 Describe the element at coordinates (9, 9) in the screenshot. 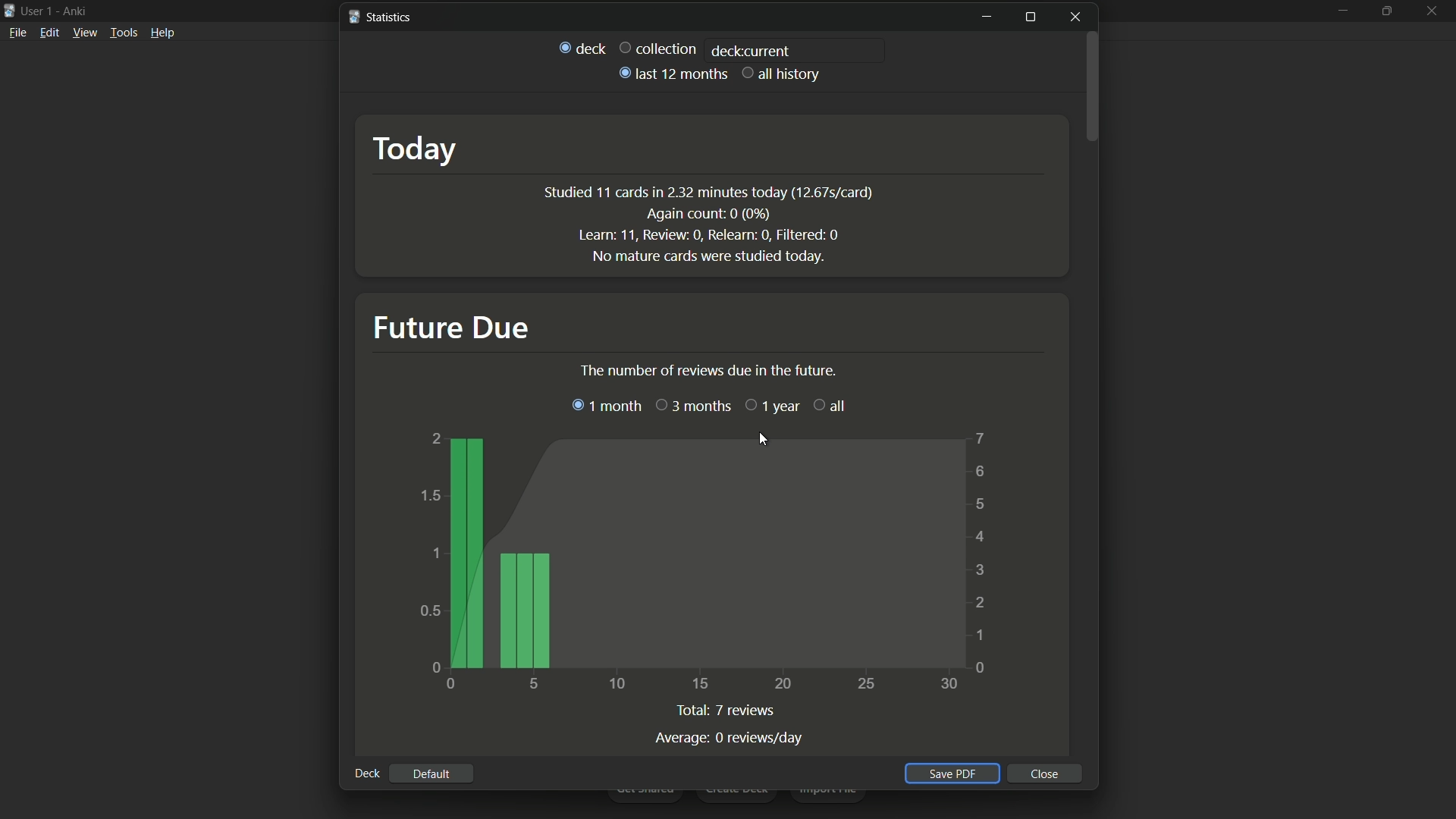

I see `app icon` at that location.